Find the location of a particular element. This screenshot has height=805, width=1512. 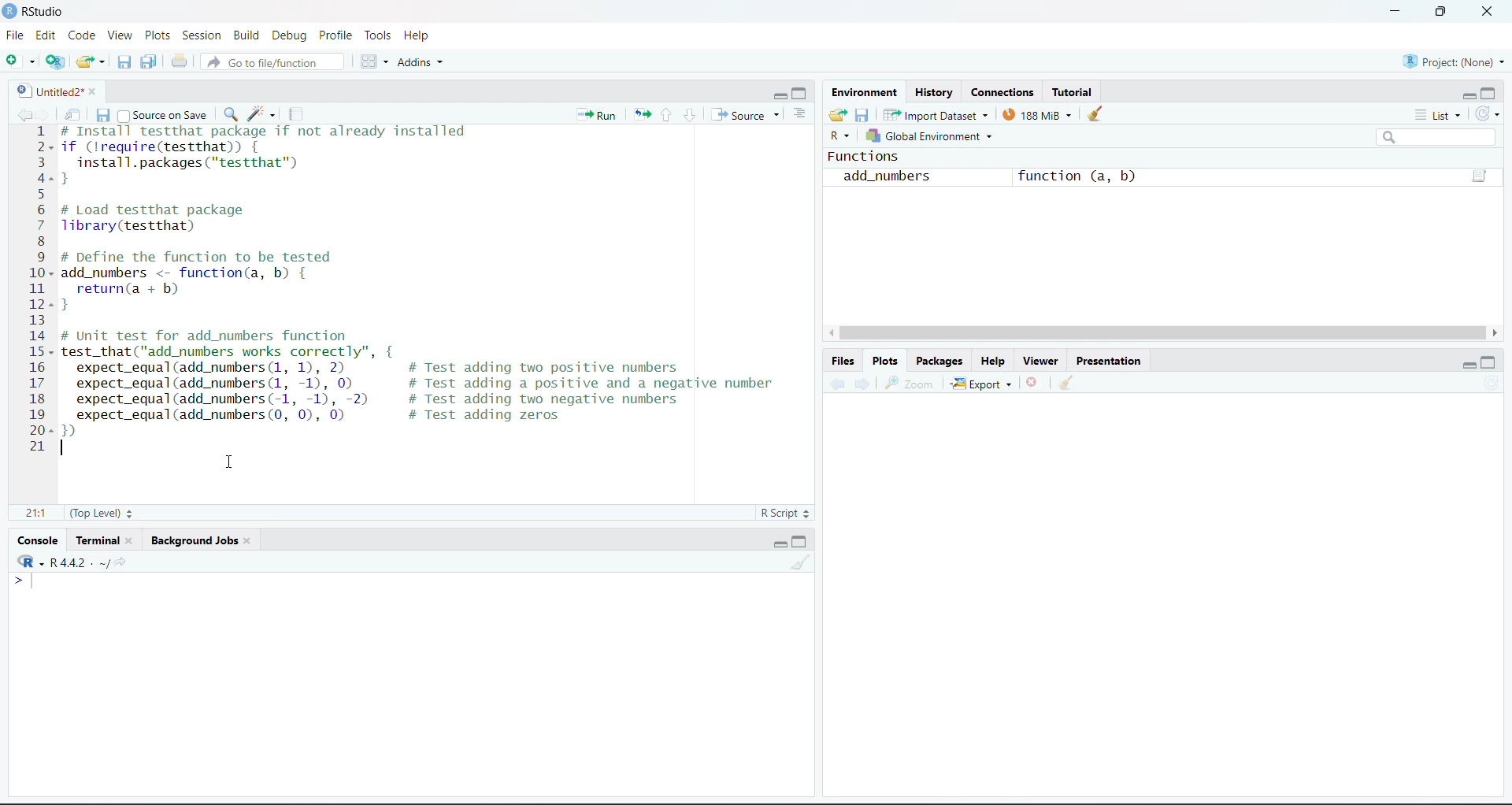

maximize is located at coordinates (799, 542).